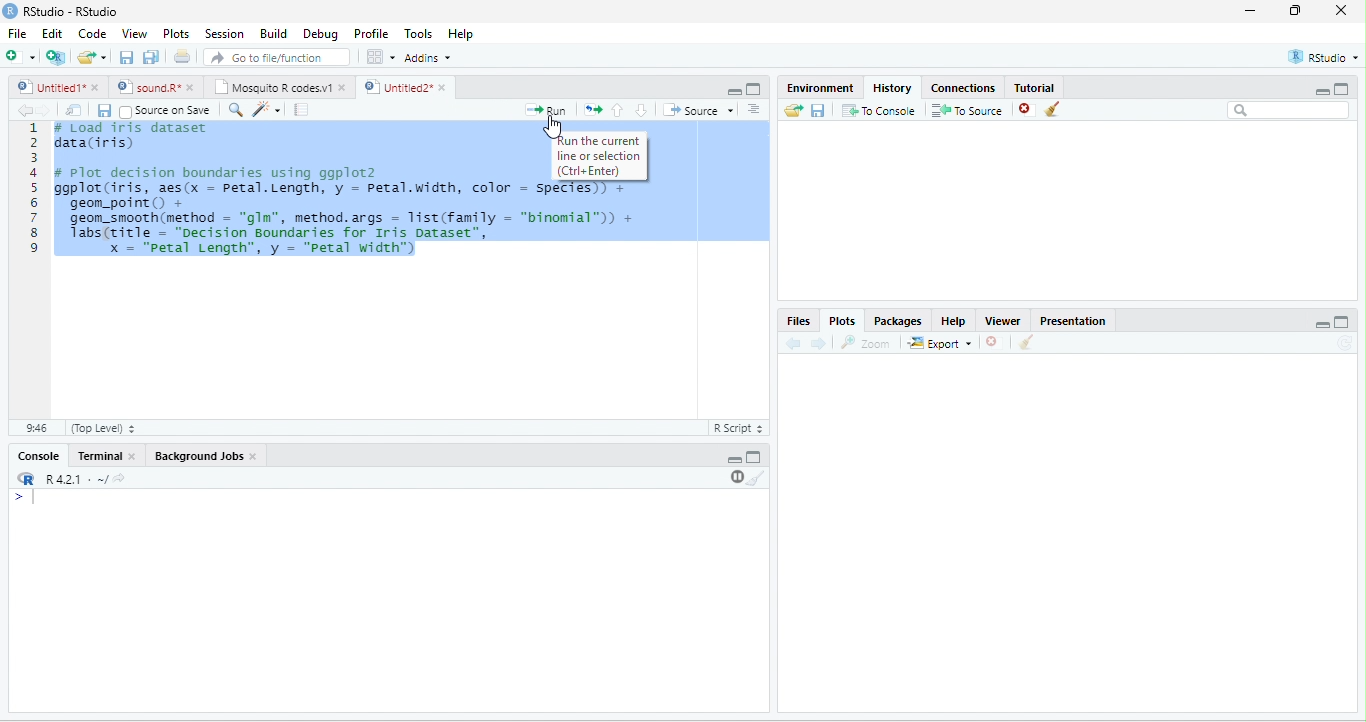  Describe the element at coordinates (463, 35) in the screenshot. I see `Help` at that location.